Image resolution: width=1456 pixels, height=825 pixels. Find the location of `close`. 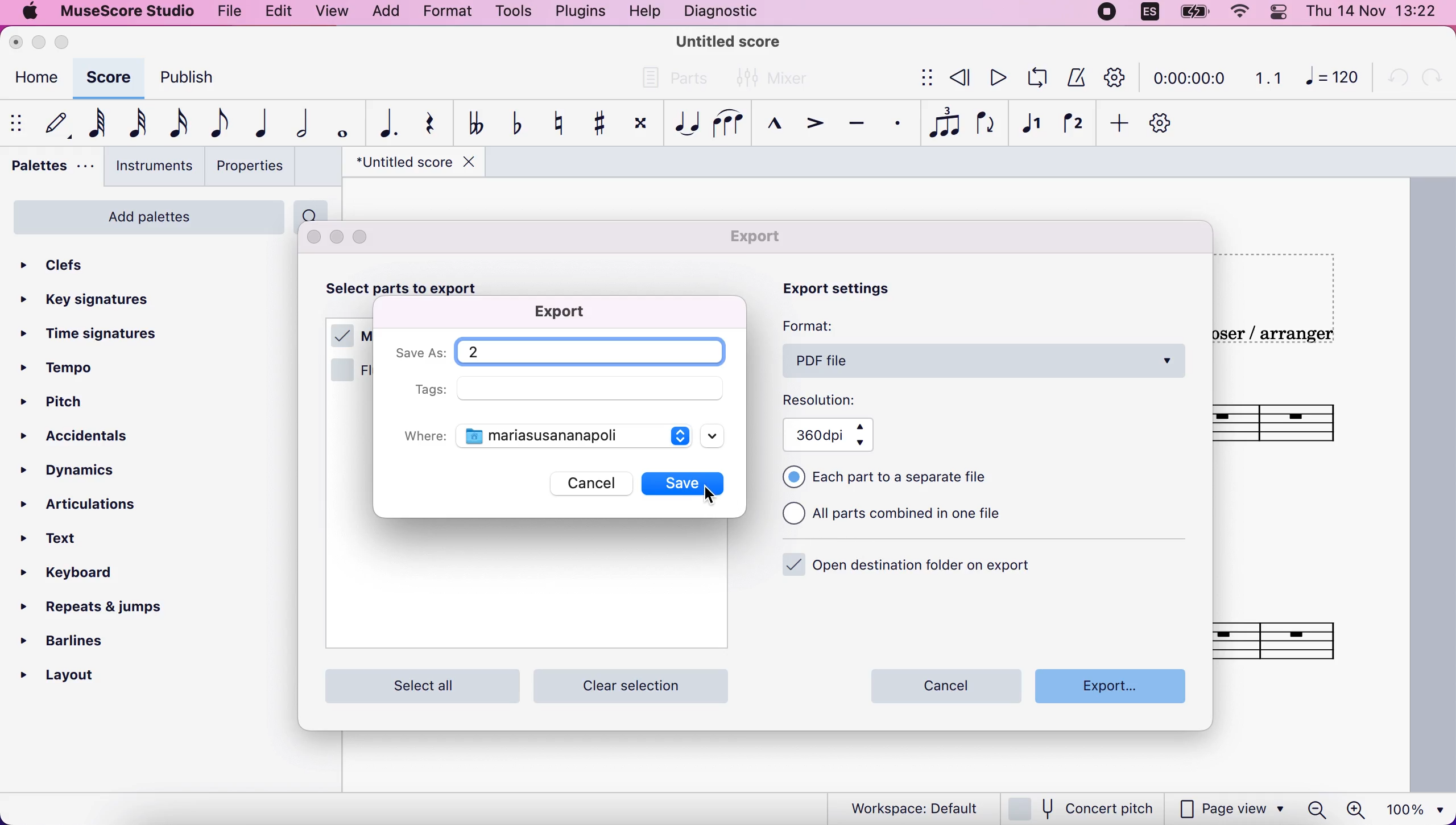

close is located at coordinates (18, 43).